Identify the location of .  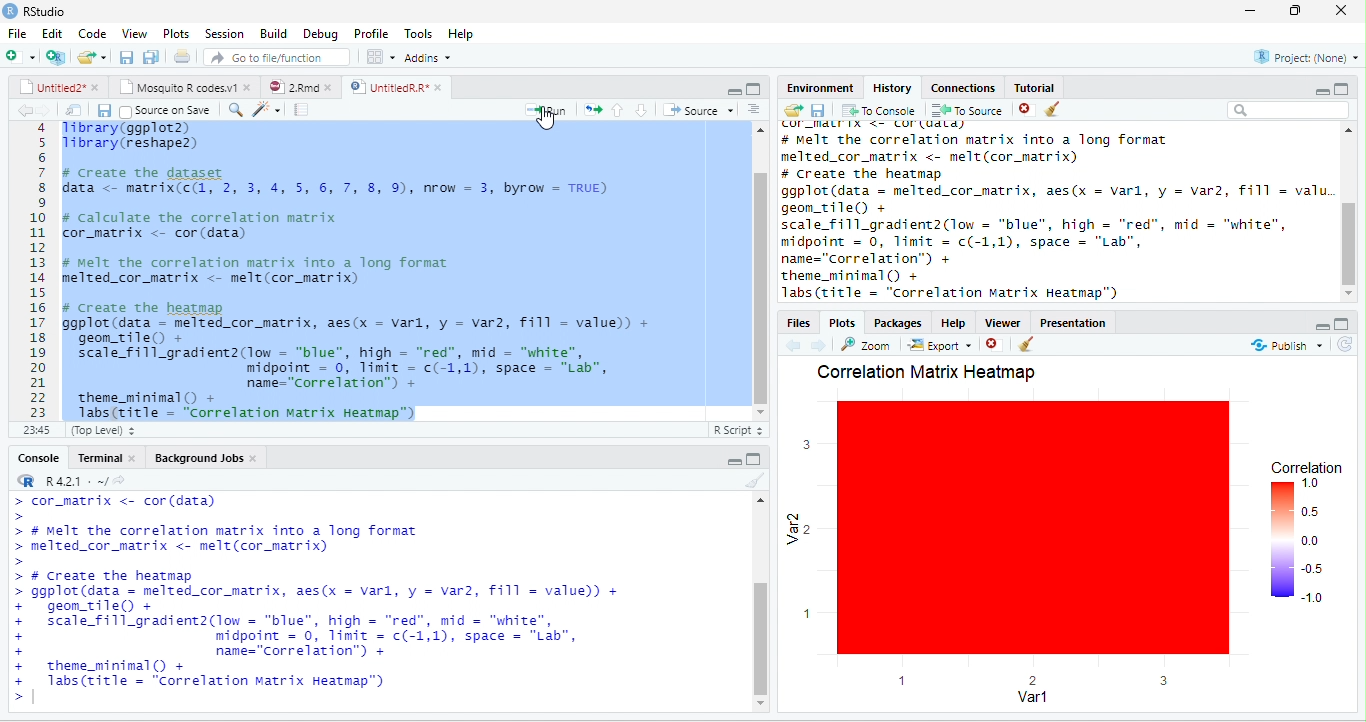
(762, 109).